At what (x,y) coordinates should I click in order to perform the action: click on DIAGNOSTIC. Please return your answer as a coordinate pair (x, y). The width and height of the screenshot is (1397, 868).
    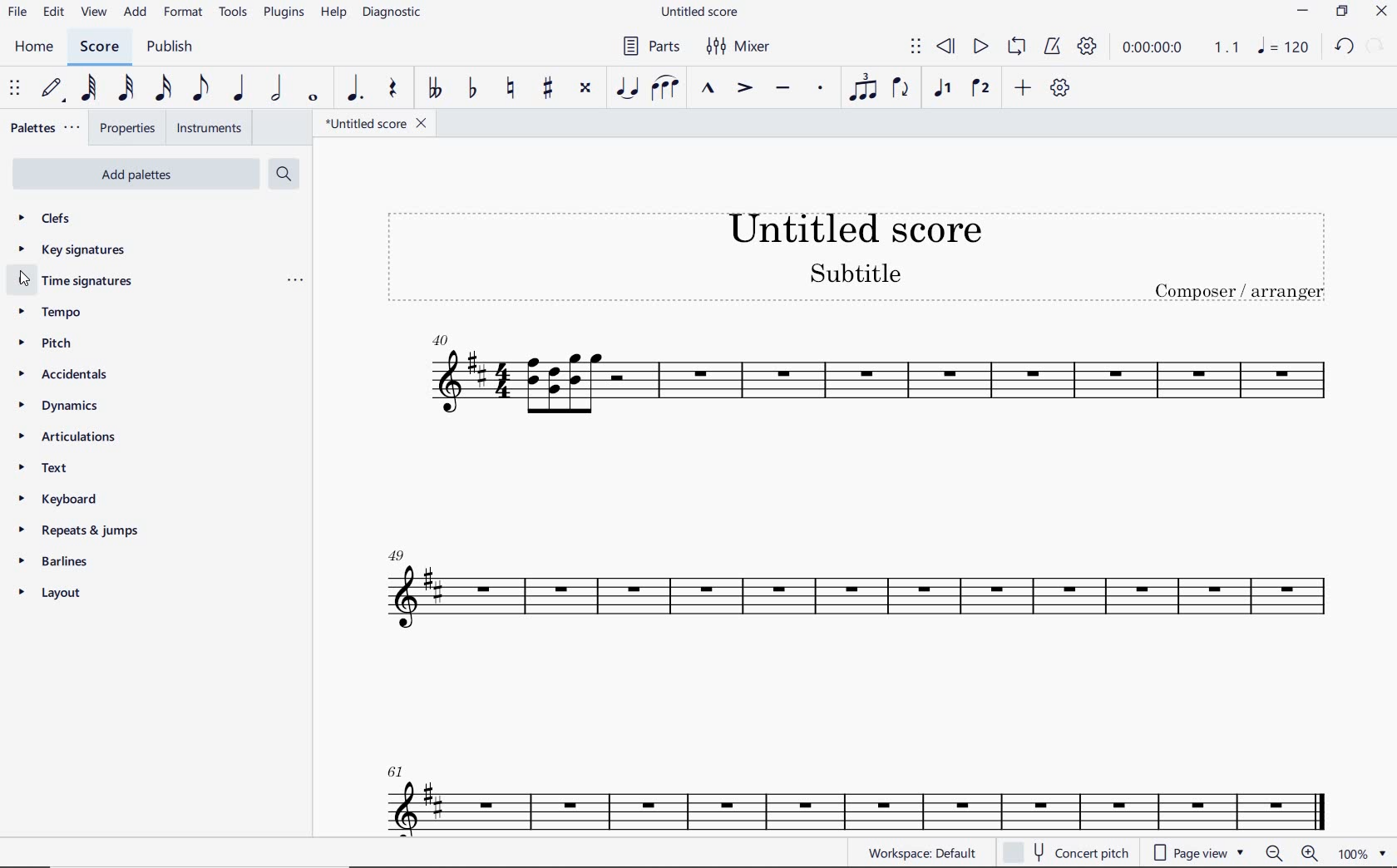
    Looking at the image, I should click on (392, 13).